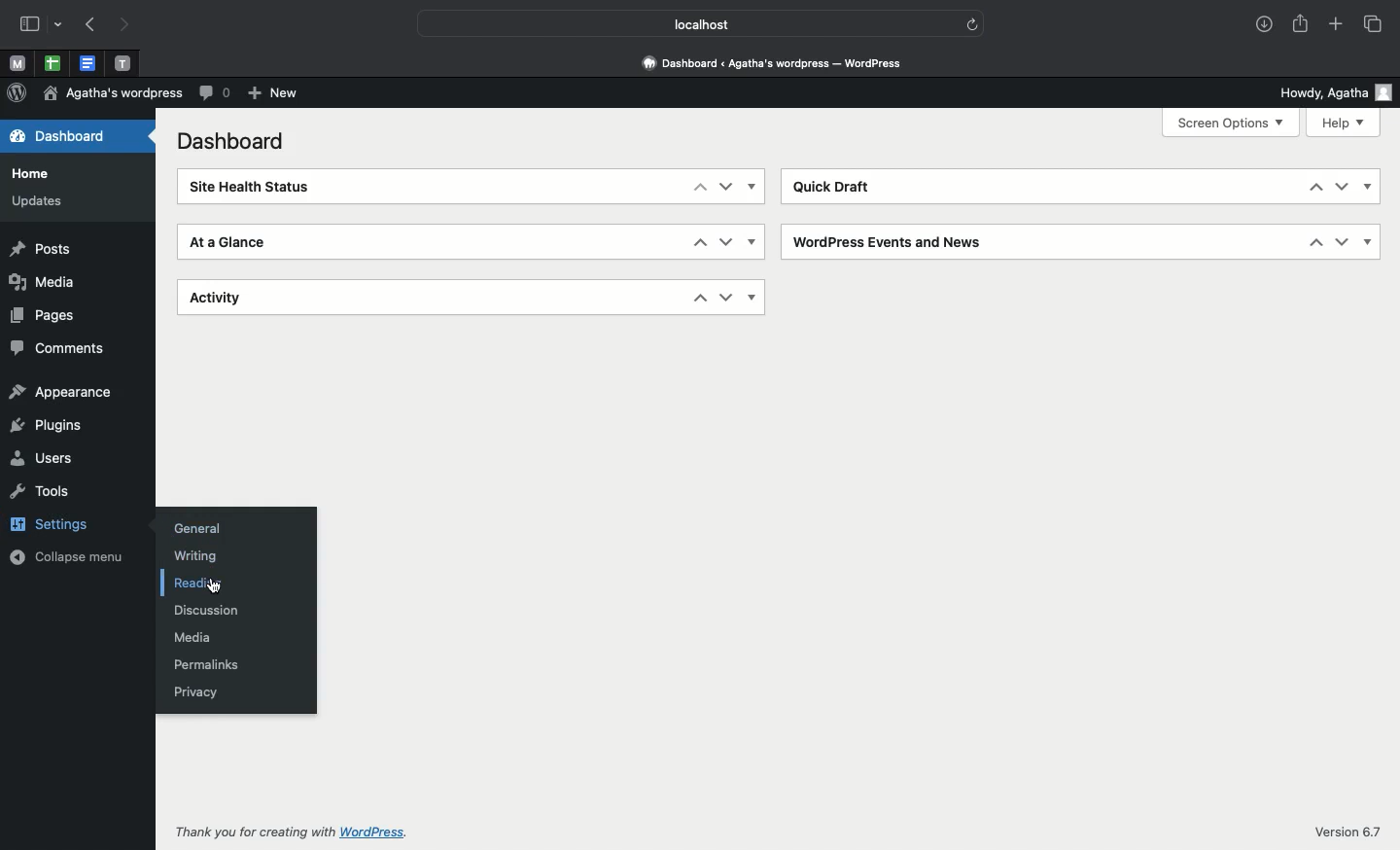  Describe the element at coordinates (44, 248) in the screenshot. I see `Posts` at that location.